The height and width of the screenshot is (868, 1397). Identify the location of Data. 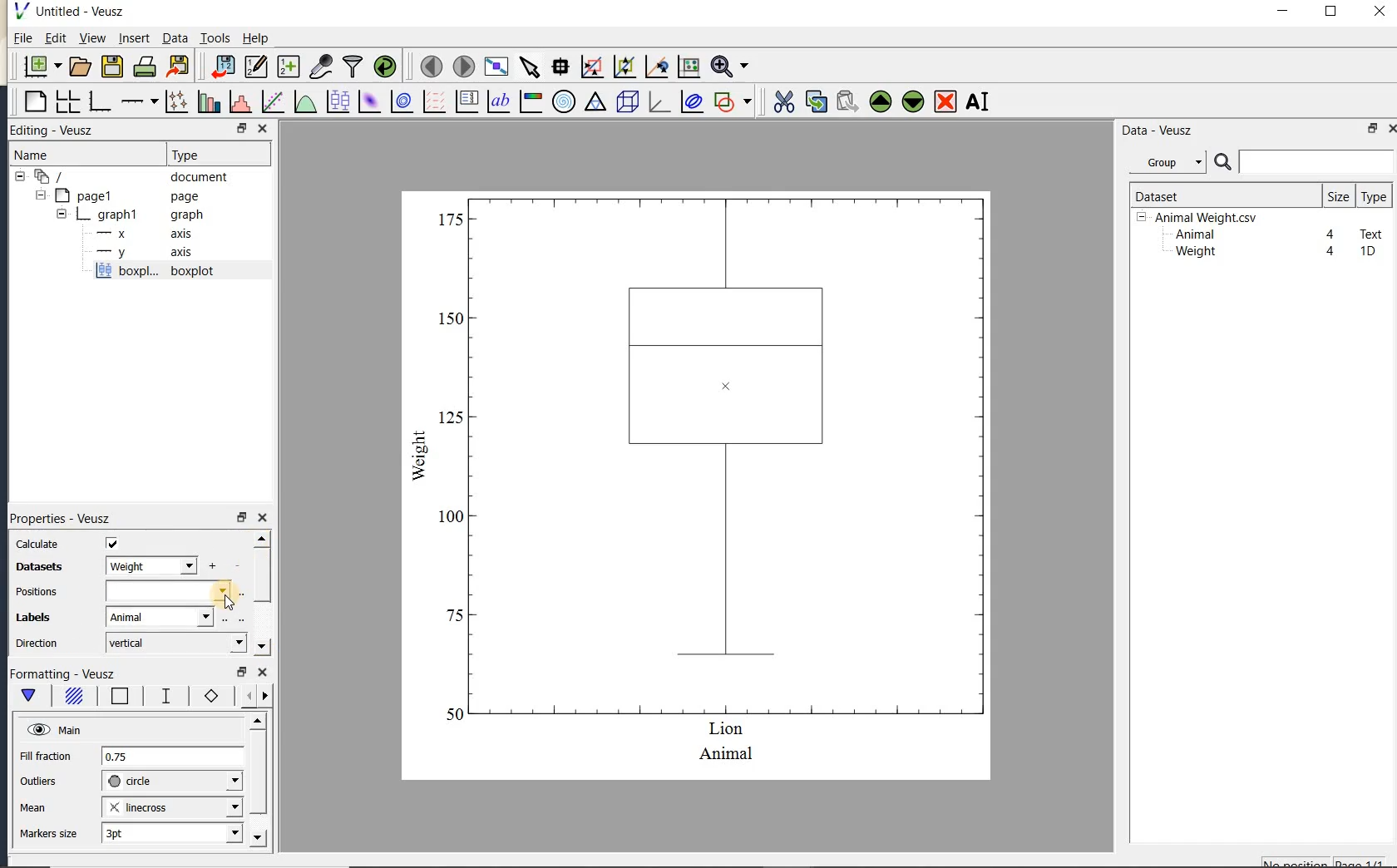
(175, 37).